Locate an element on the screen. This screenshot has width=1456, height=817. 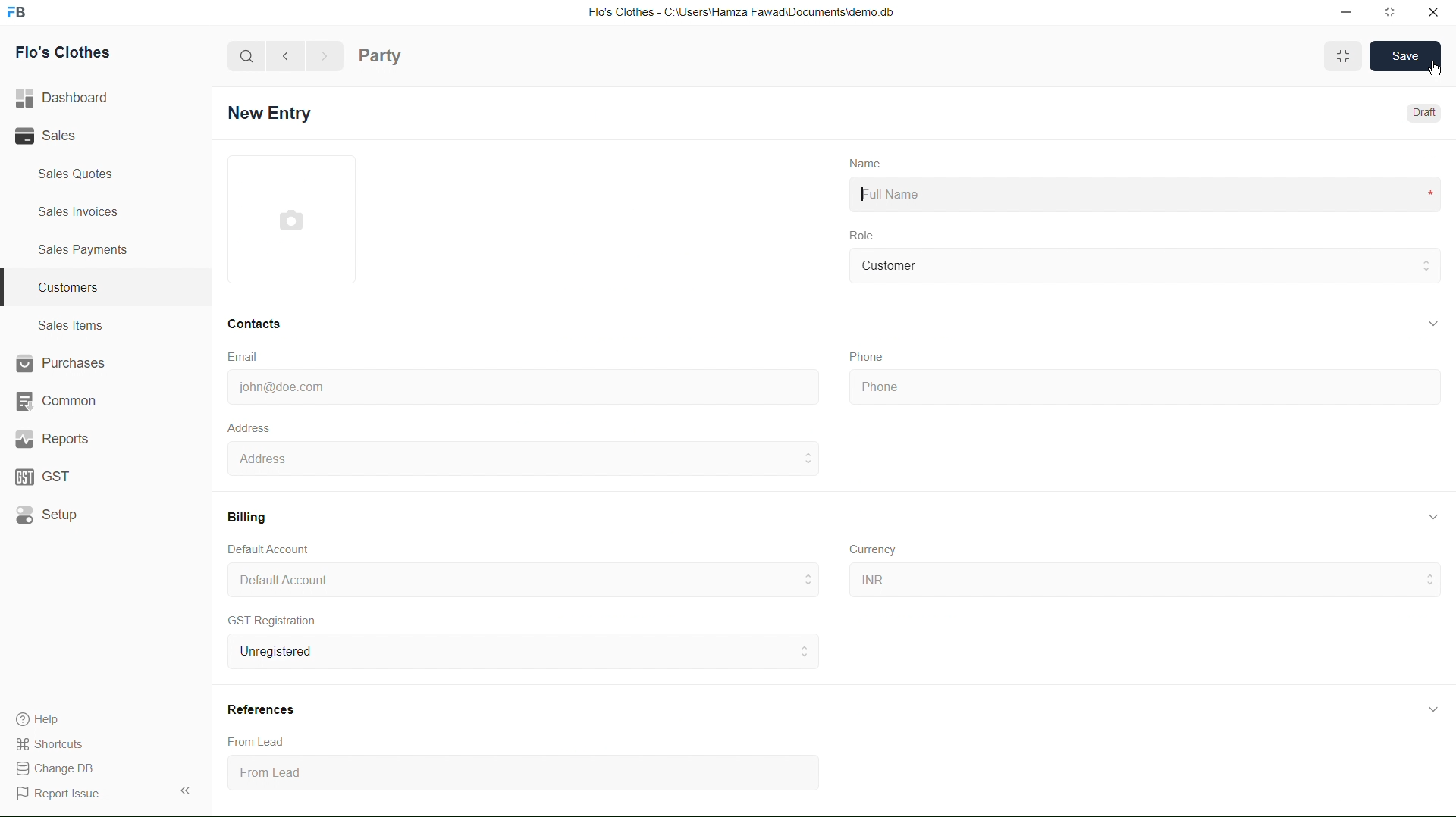
Sales Quotes is located at coordinates (73, 175).